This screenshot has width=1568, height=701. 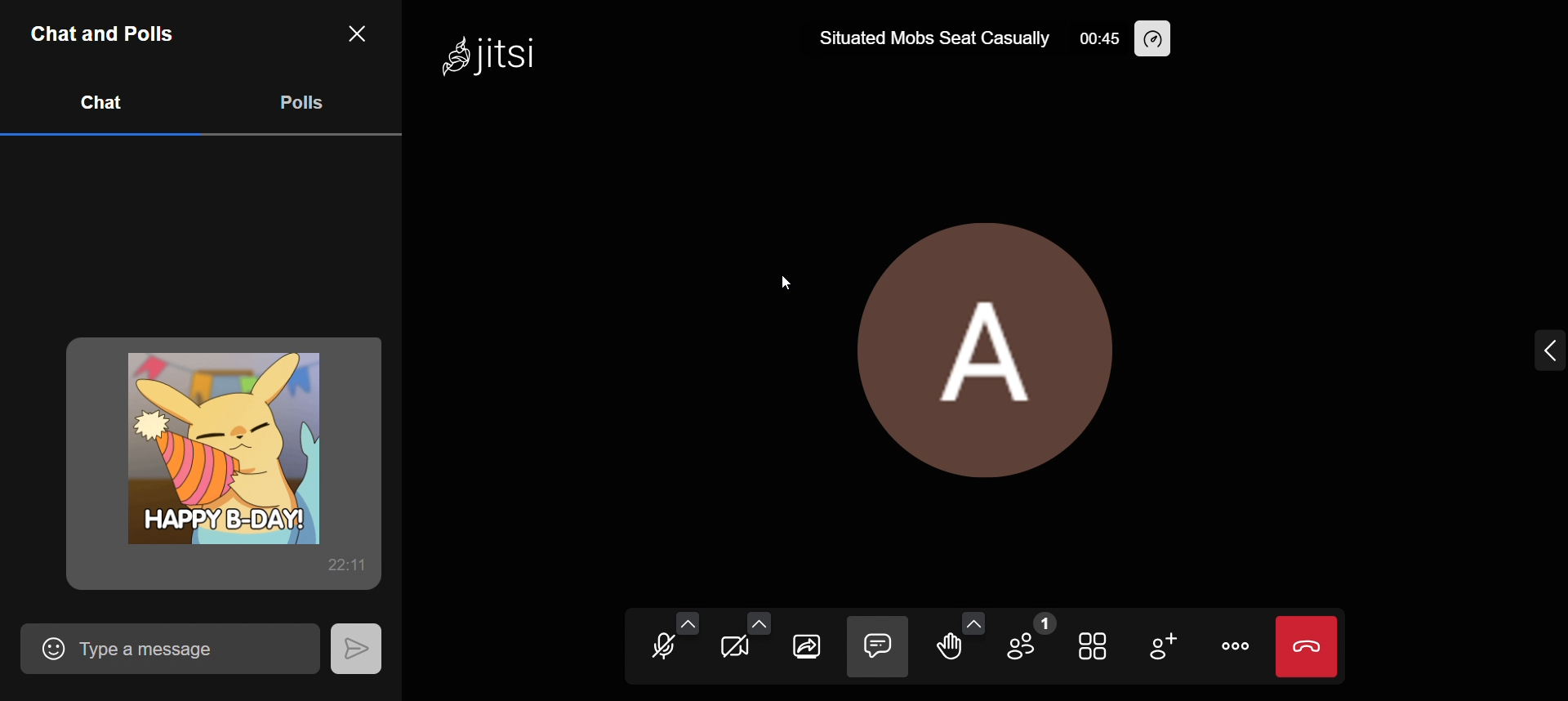 What do you see at coordinates (1153, 36) in the screenshot?
I see `performance setting` at bounding box center [1153, 36].